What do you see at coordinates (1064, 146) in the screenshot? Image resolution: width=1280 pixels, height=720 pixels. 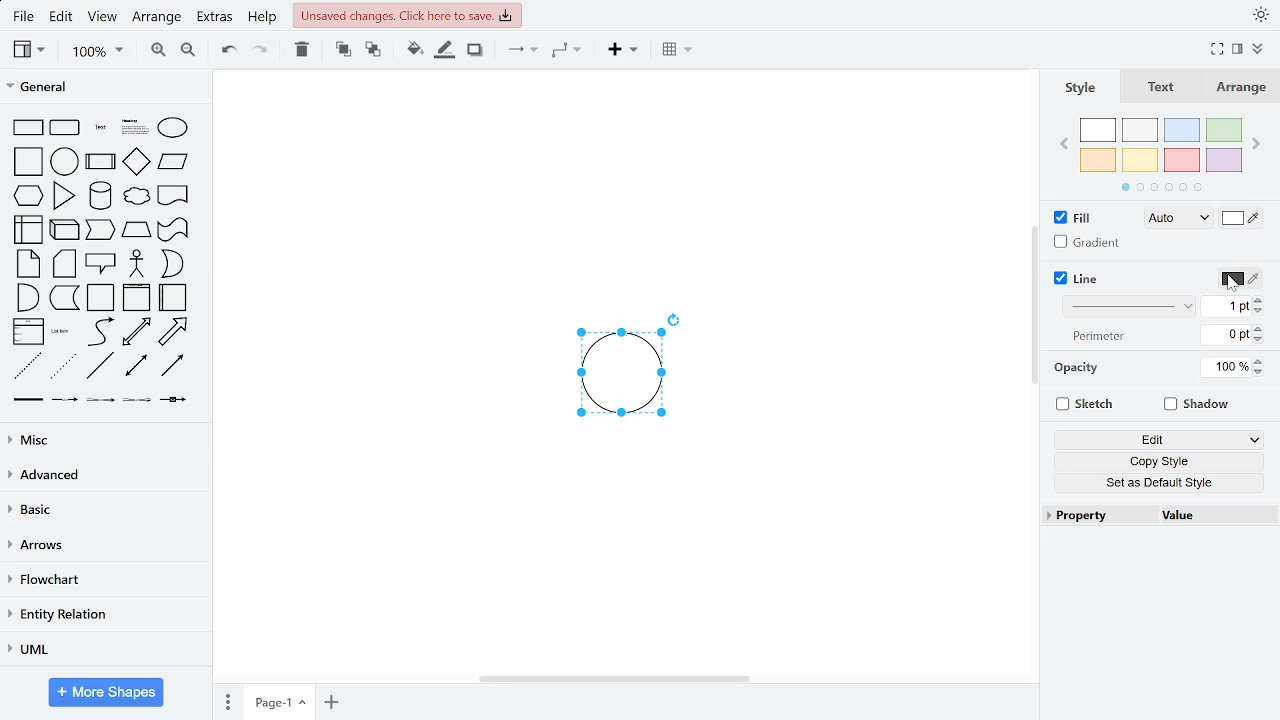 I see `previous` at bounding box center [1064, 146].